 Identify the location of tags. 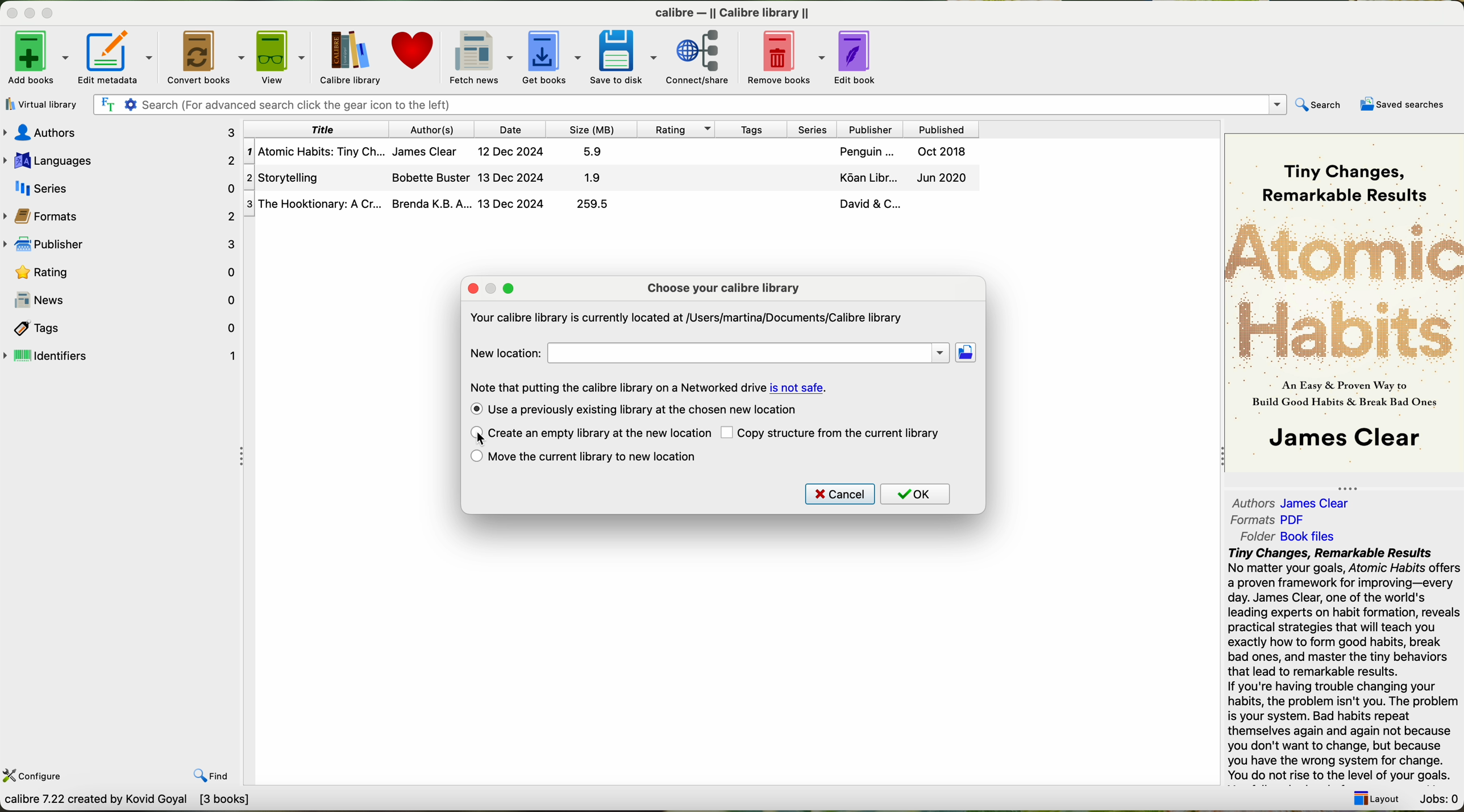
(749, 128).